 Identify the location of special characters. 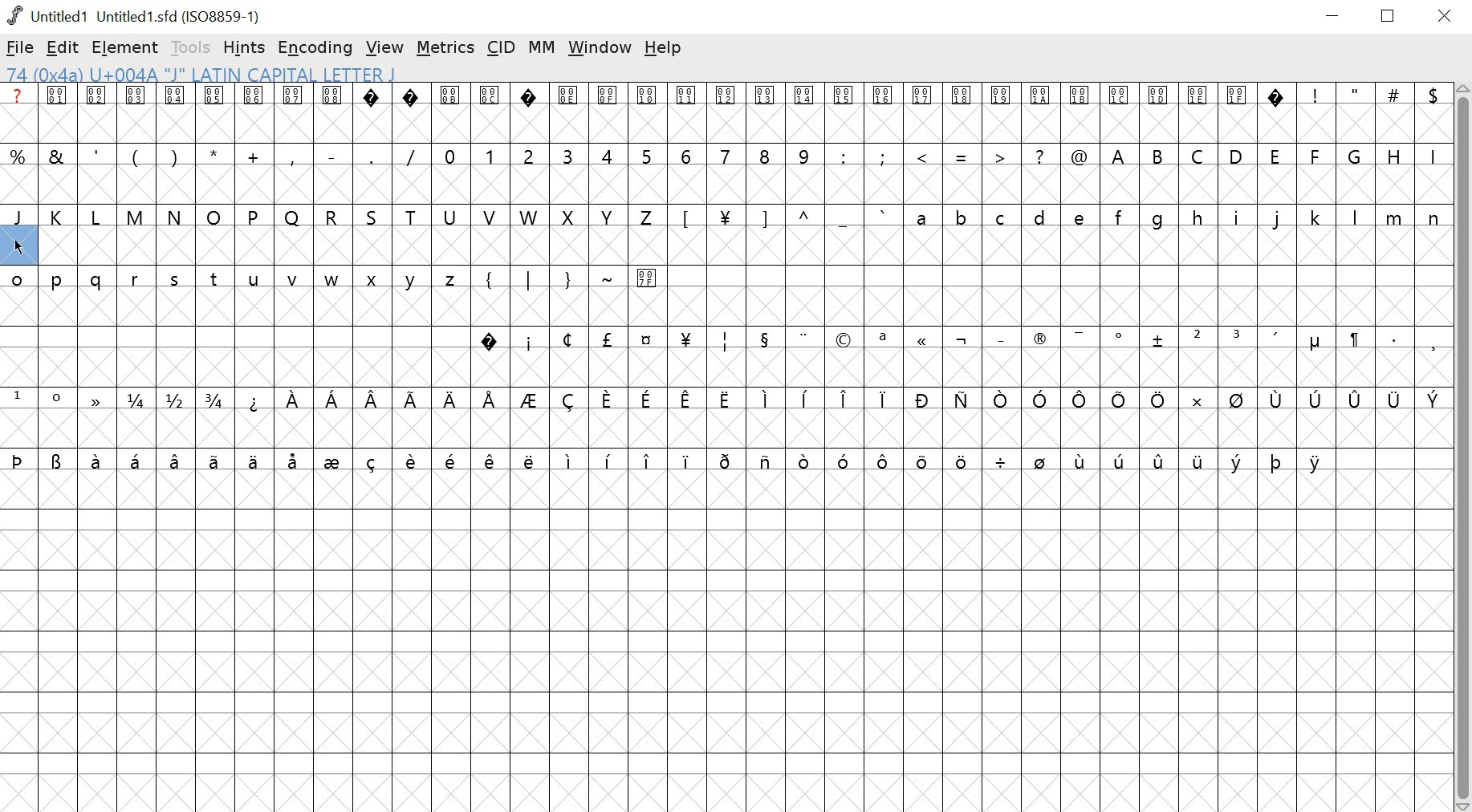
(215, 155).